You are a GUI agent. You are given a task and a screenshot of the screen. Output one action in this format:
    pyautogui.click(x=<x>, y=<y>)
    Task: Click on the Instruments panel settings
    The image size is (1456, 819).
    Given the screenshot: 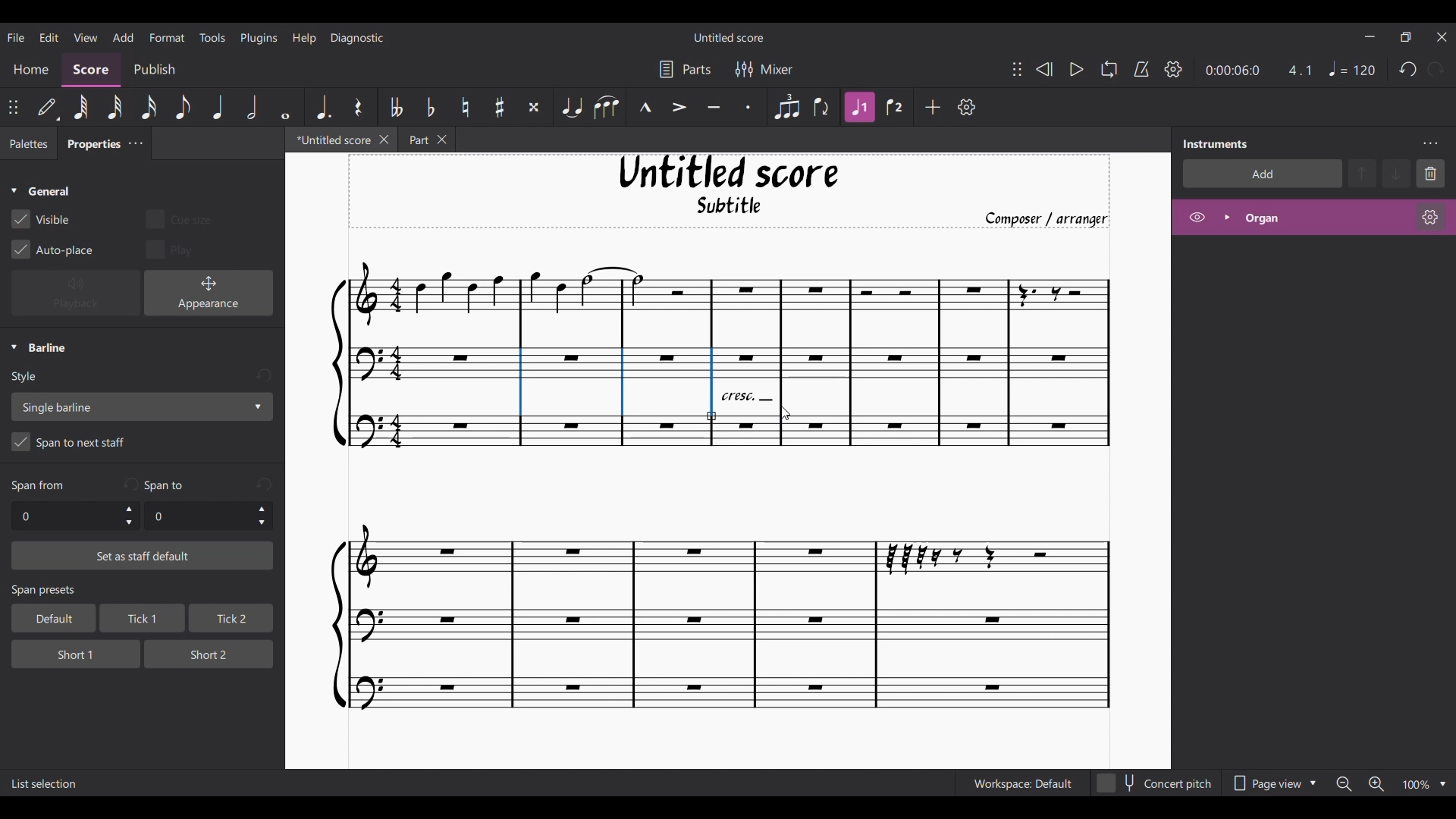 What is the action you would take?
    pyautogui.click(x=1430, y=143)
    